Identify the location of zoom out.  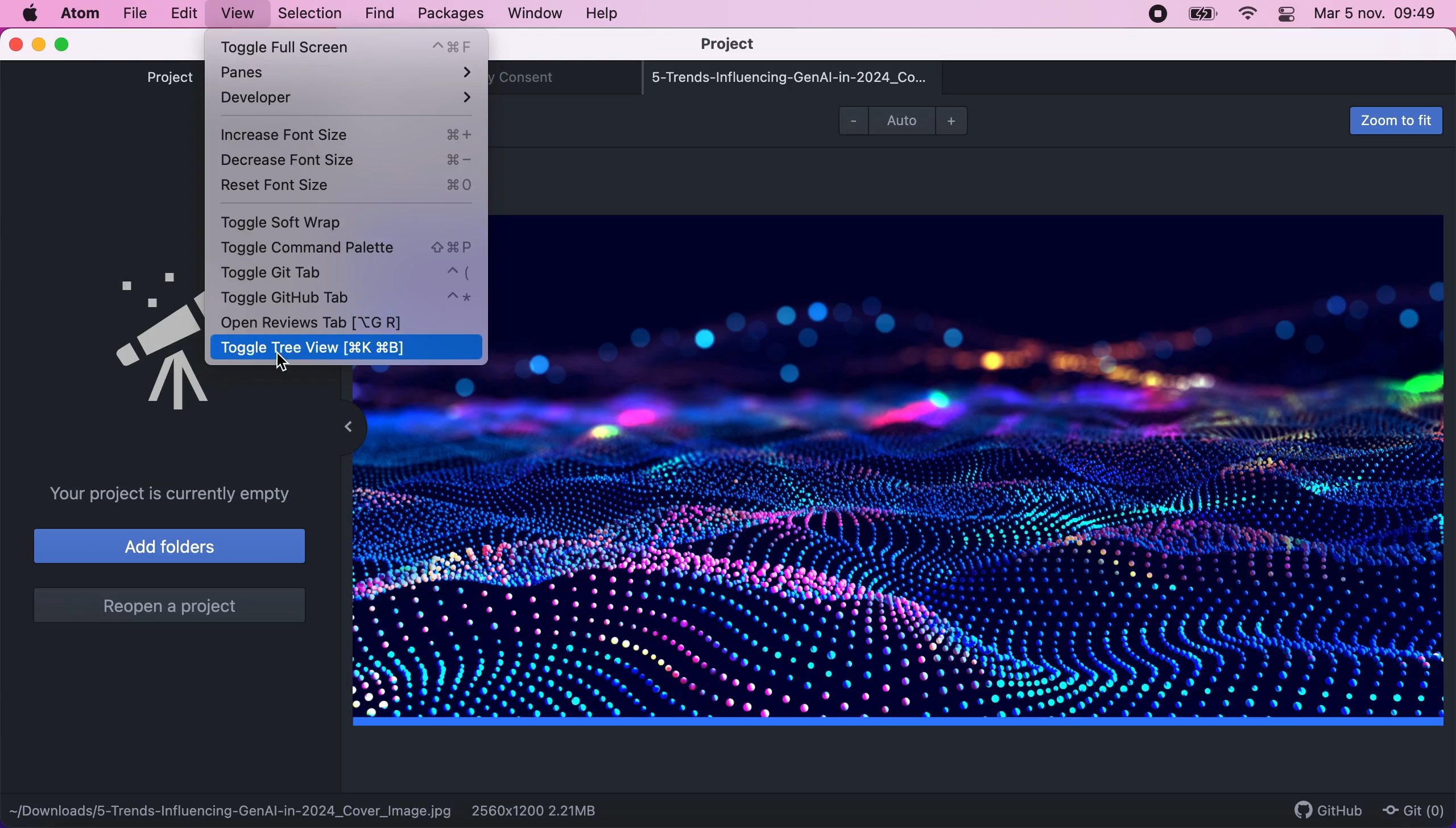
(845, 119).